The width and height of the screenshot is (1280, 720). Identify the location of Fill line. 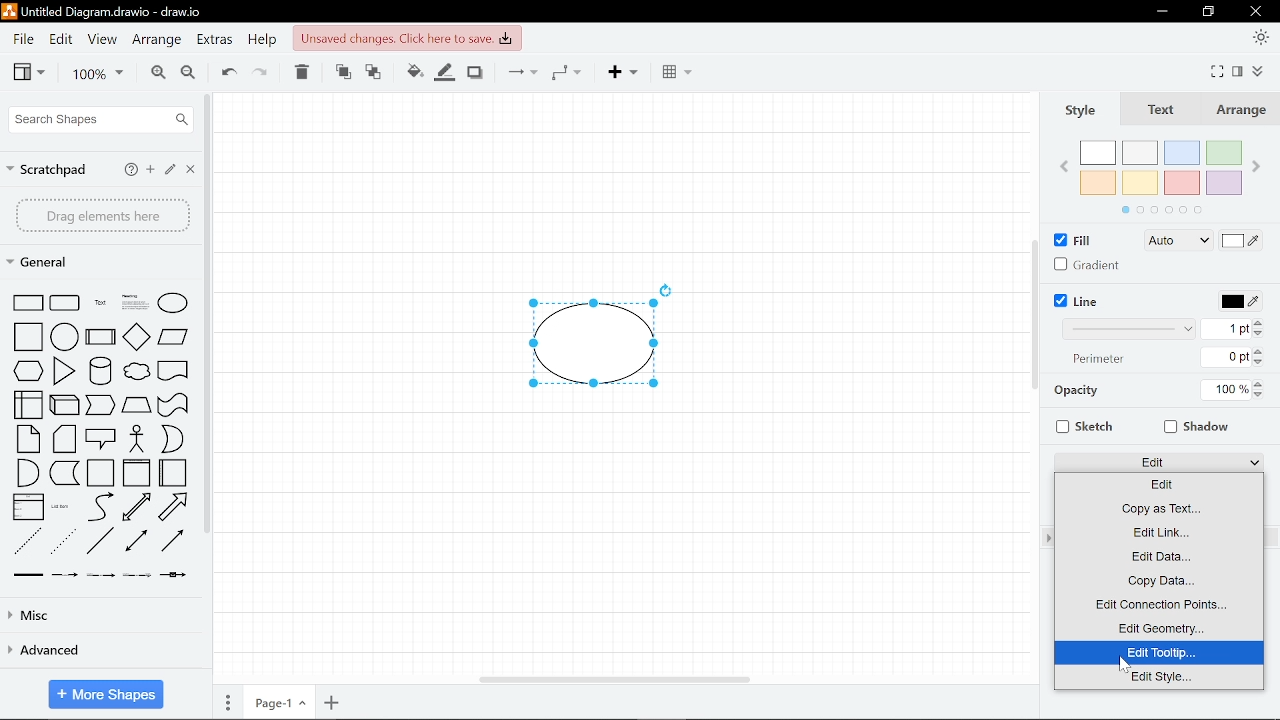
(442, 71).